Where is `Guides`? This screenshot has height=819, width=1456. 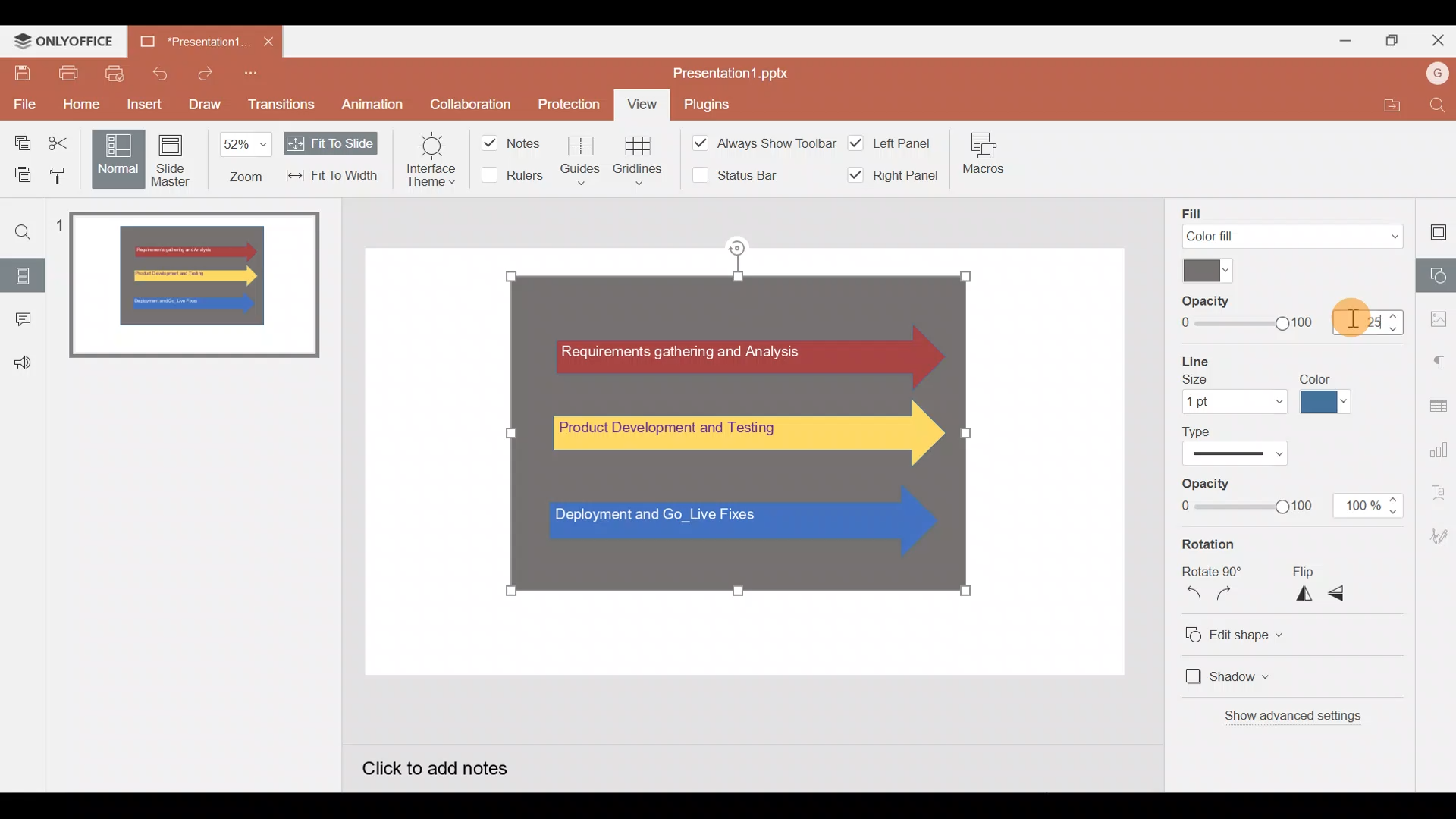 Guides is located at coordinates (583, 157).